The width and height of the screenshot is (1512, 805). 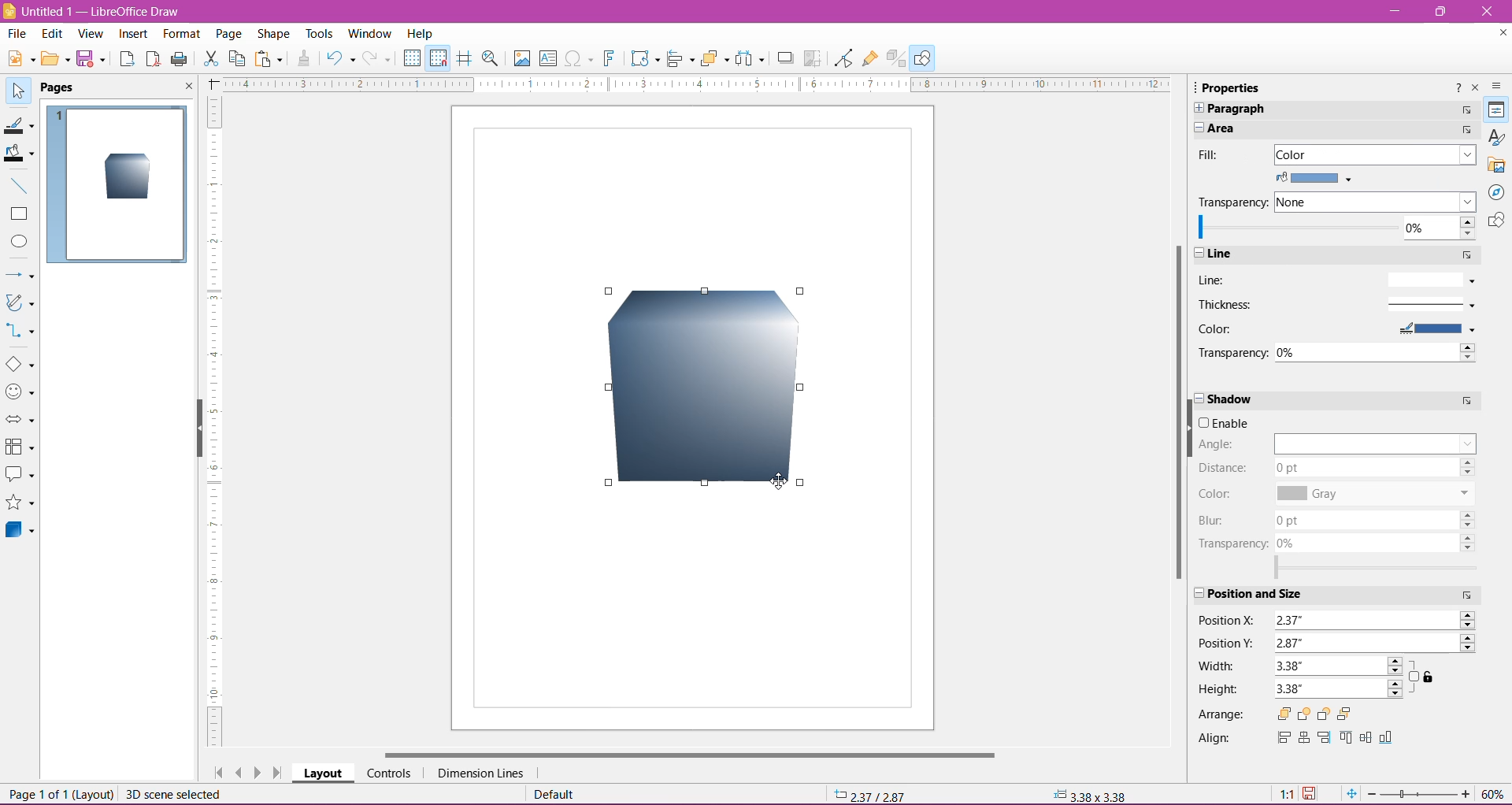 What do you see at coordinates (20, 447) in the screenshot?
I see `Flowcharts` at bounding box center [20, 447].